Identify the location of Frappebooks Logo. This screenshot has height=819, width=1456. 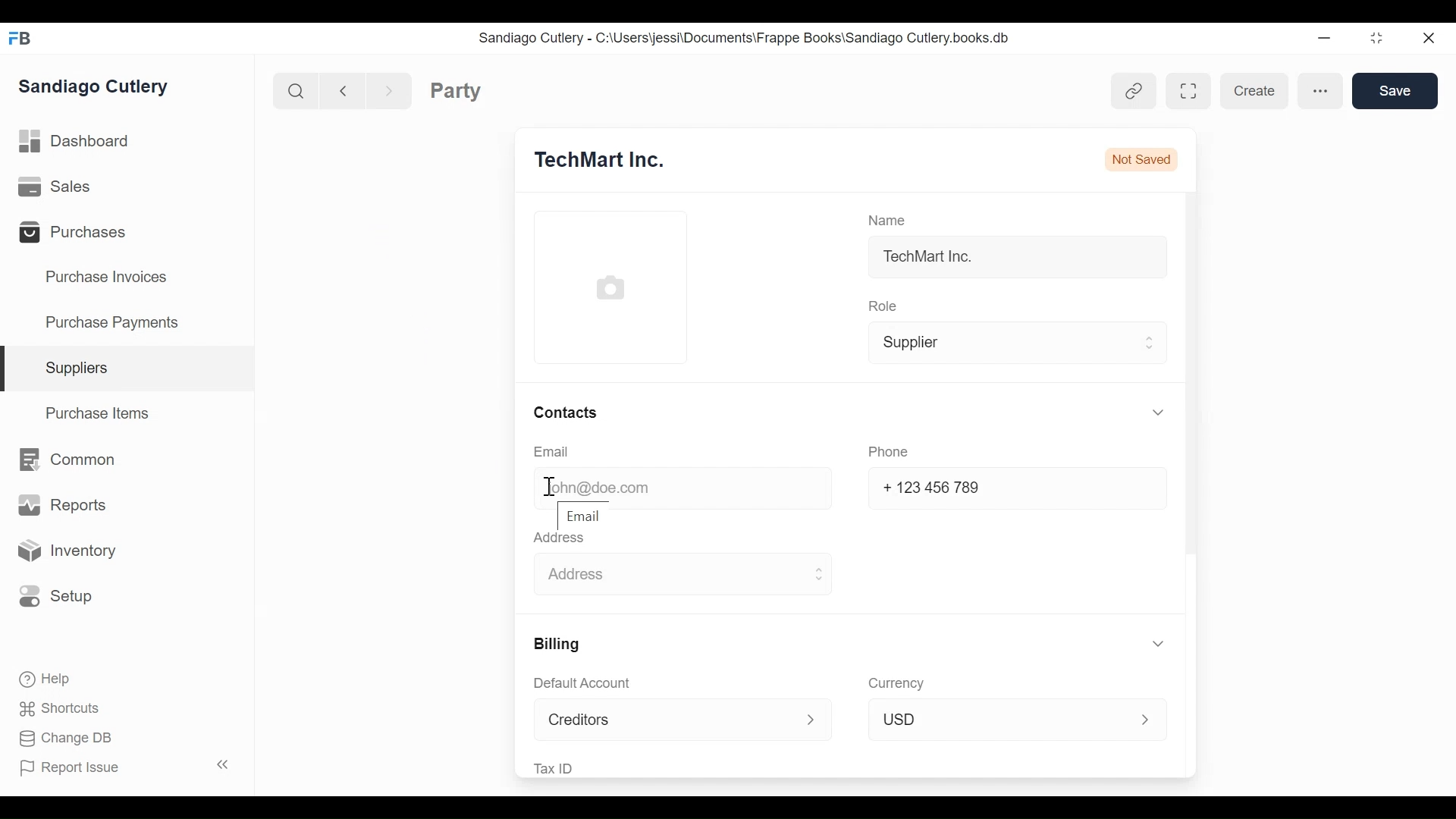
(24, 35).